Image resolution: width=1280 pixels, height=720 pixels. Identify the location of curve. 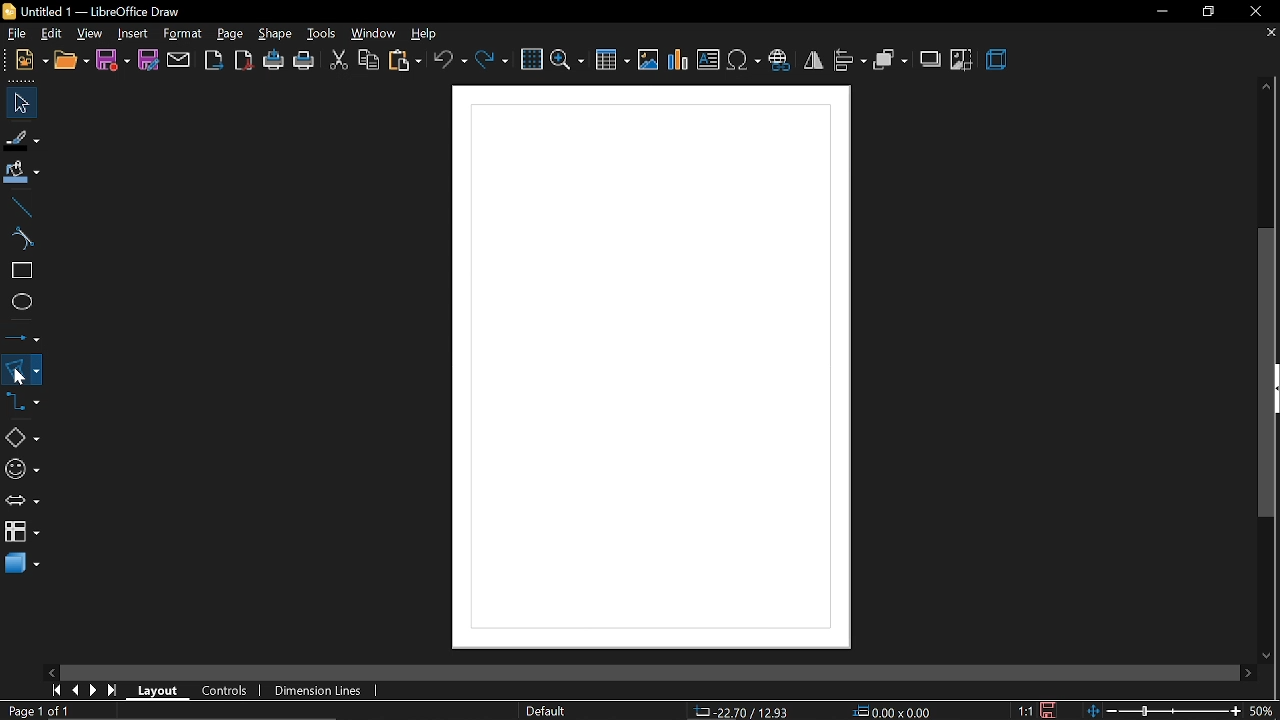
(18, 240).